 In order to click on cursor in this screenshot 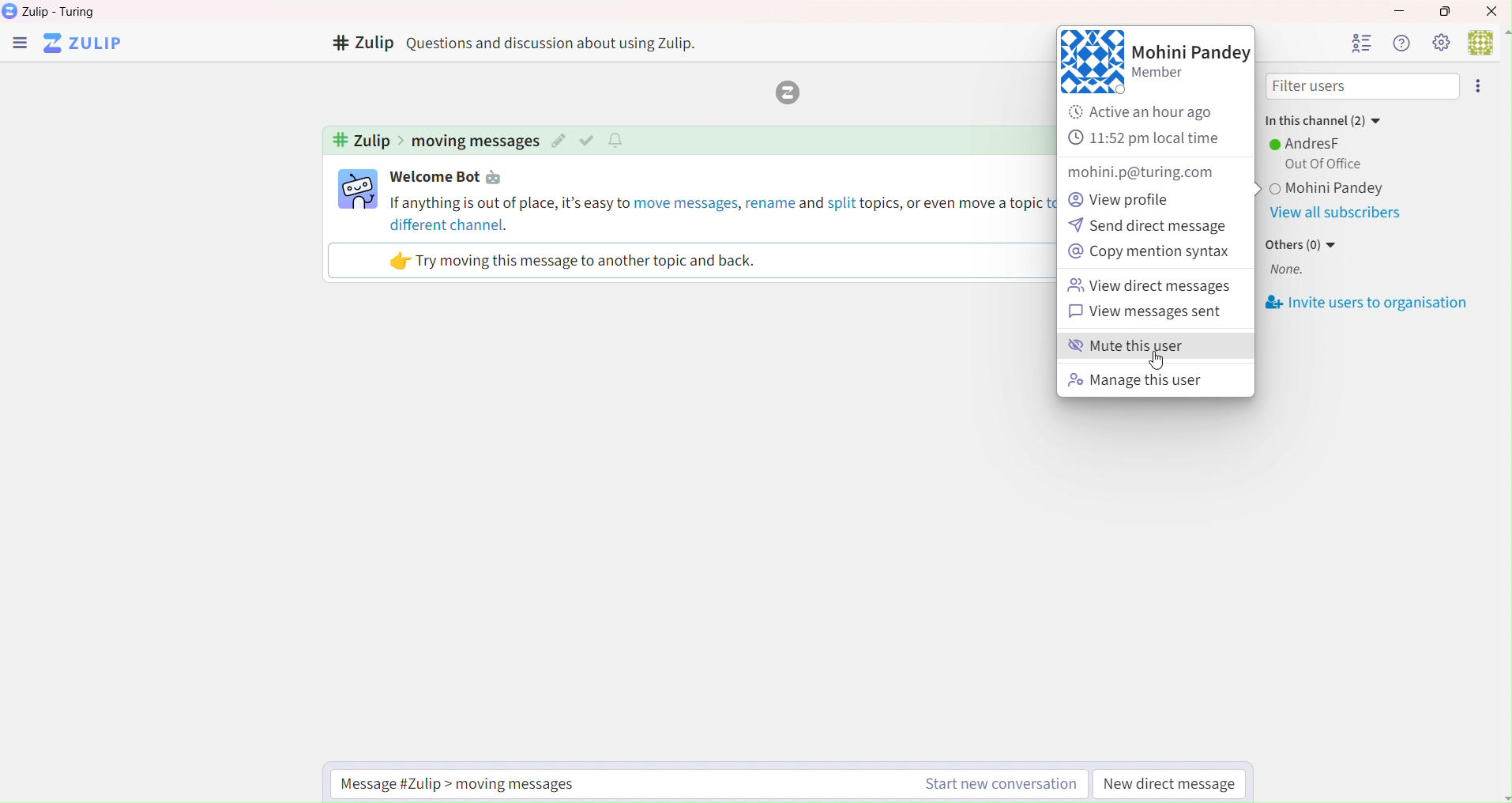, I will do `click(1156, 364)`.